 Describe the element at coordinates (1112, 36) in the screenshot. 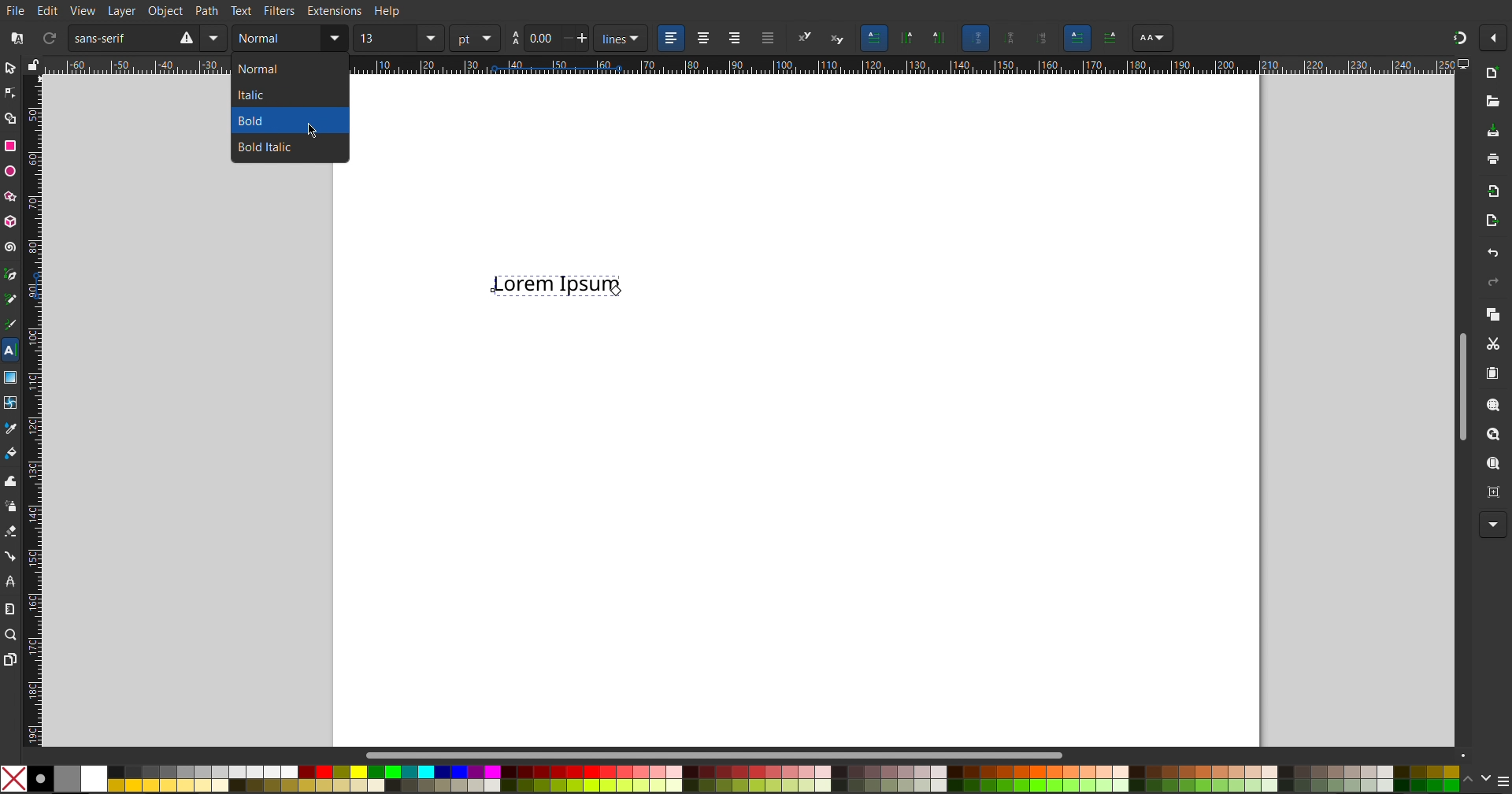

I see `Right to left text` at that location.